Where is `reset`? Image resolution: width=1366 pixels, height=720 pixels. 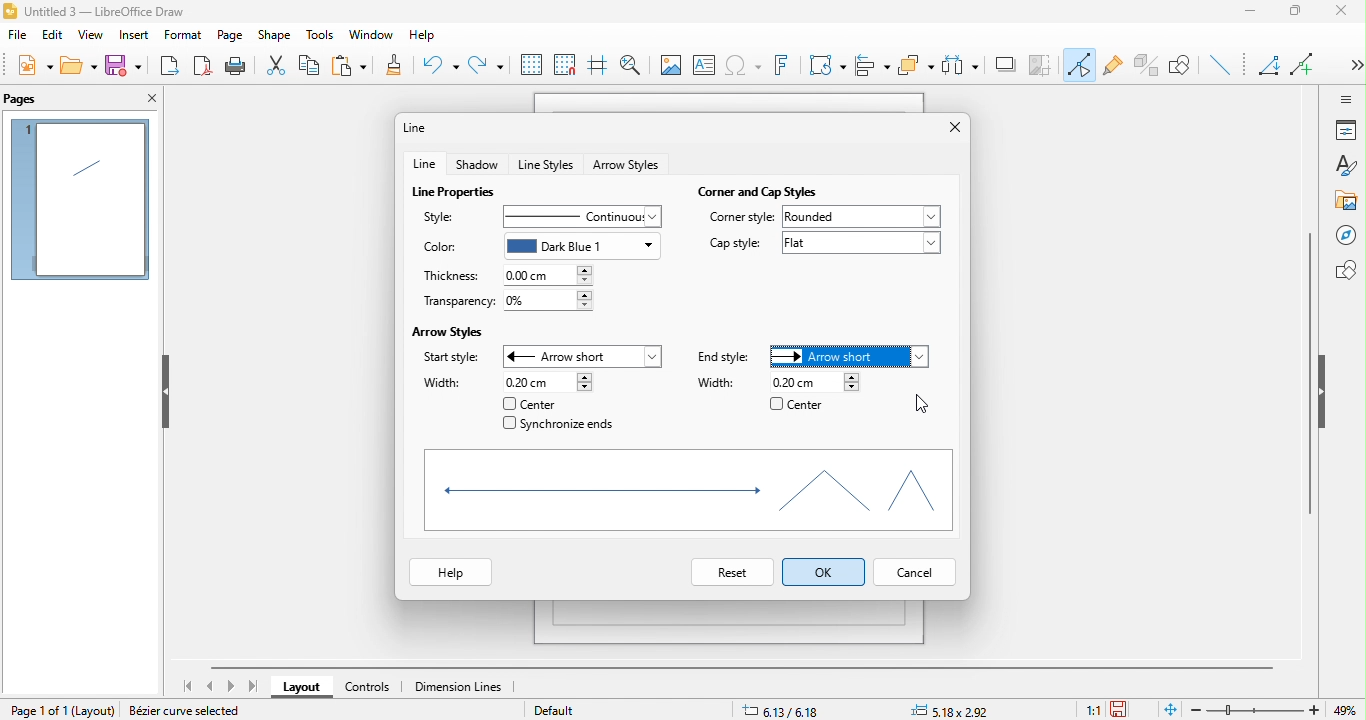
reset is located at coordinates (728, 573).